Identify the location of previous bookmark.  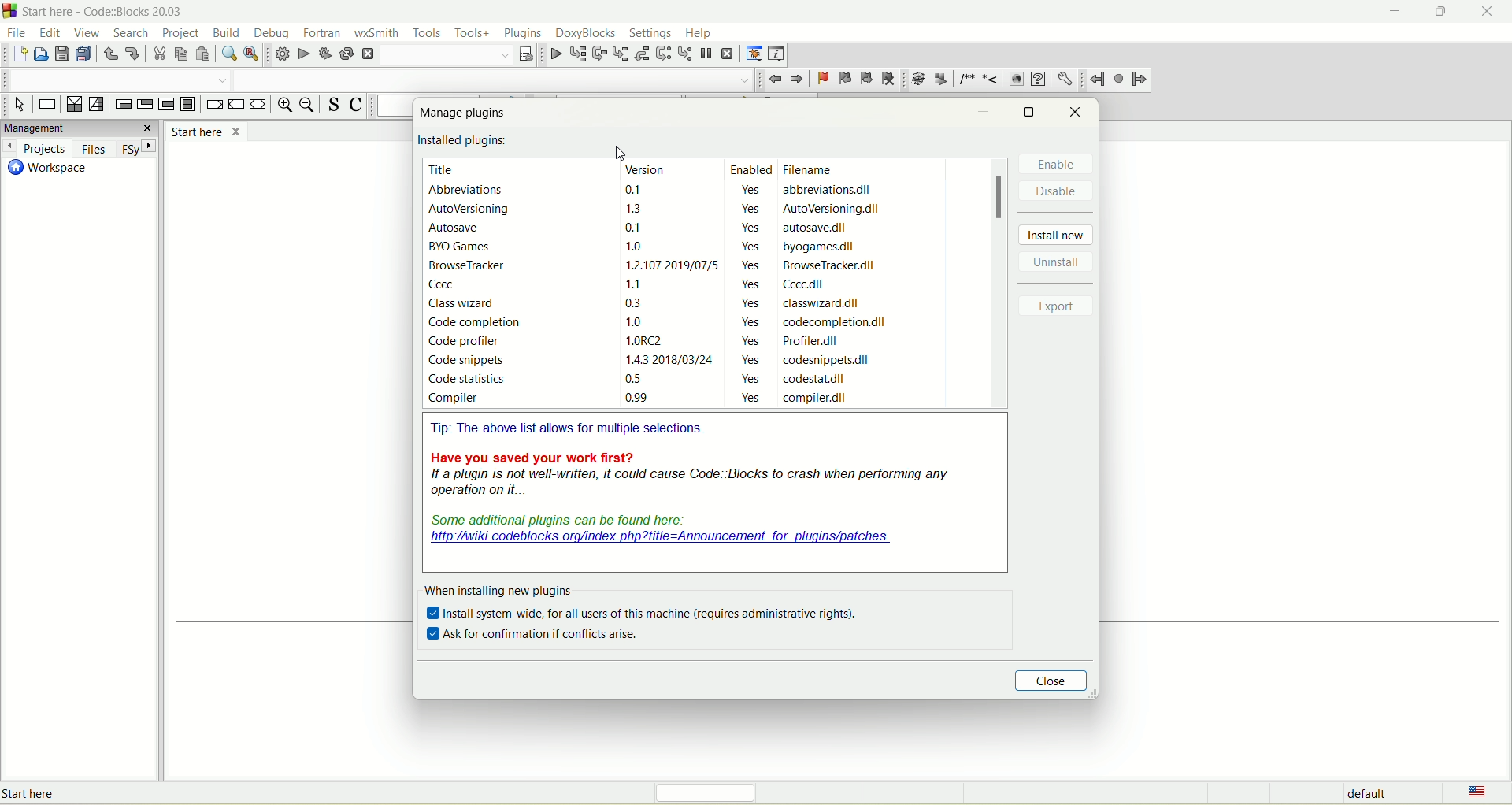
(845, 78).